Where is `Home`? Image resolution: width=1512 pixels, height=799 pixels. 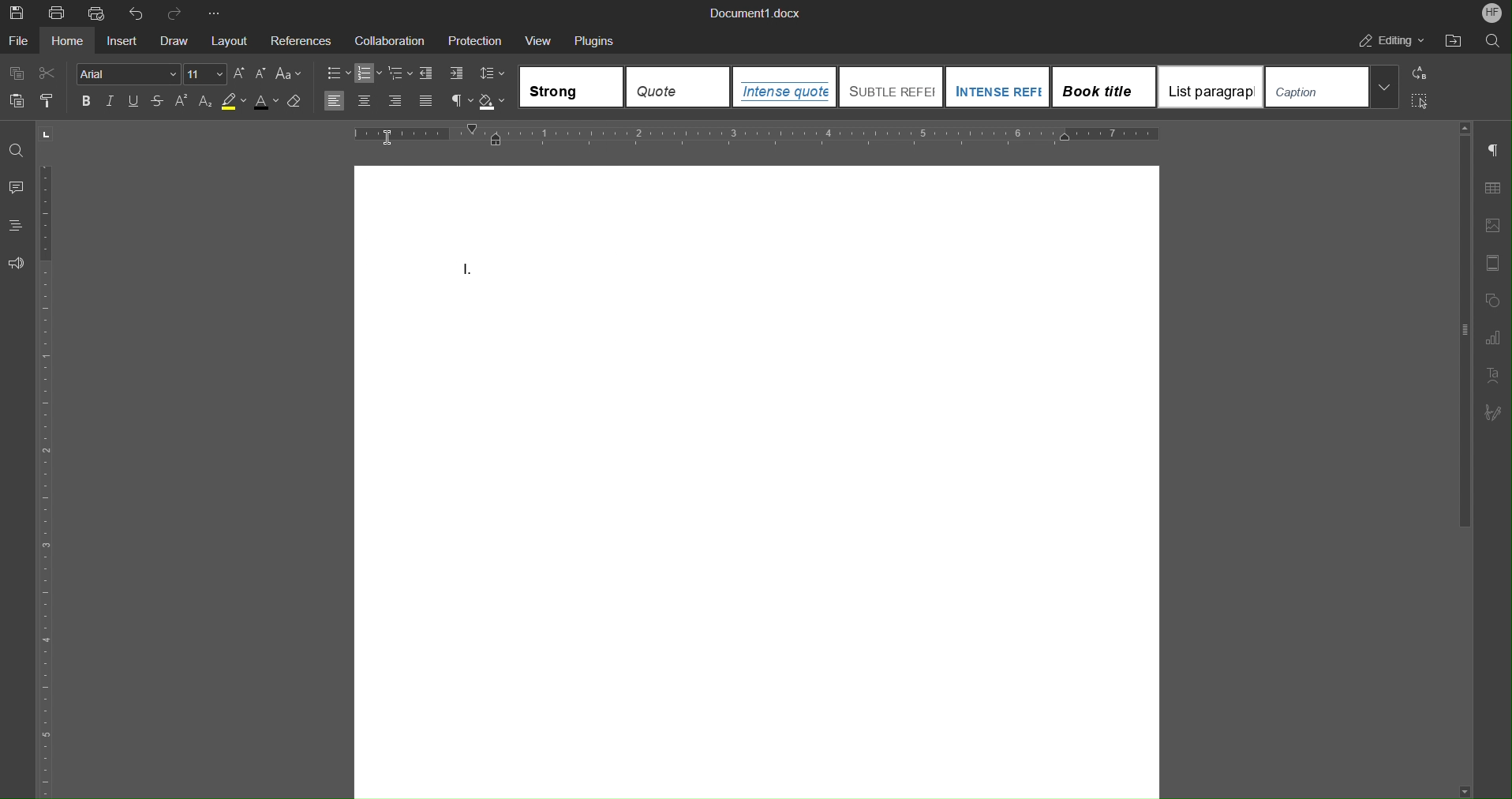
Home is located at coordinates (65, 41).